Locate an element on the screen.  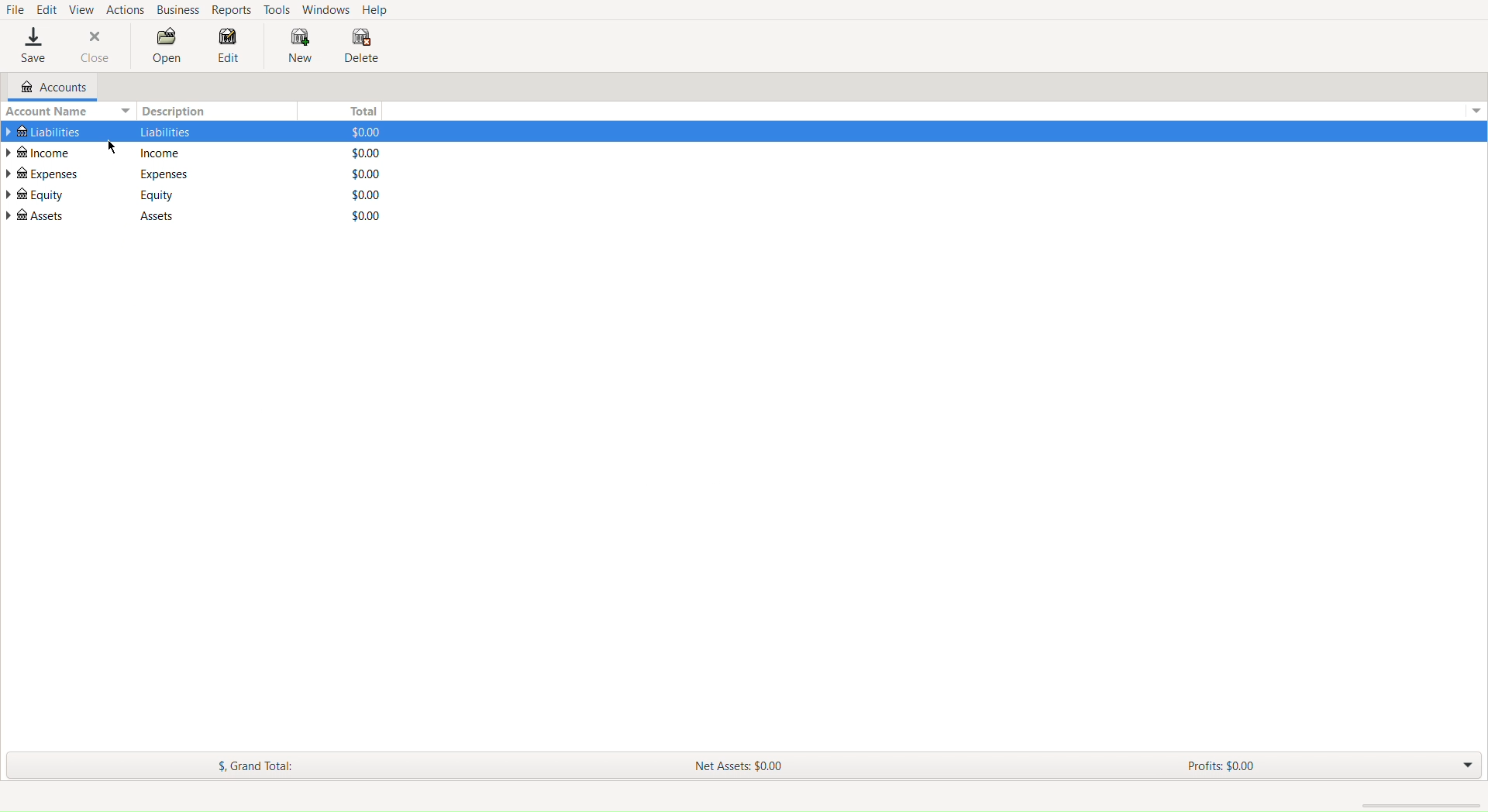
Total is located at coordinates (371, 217).